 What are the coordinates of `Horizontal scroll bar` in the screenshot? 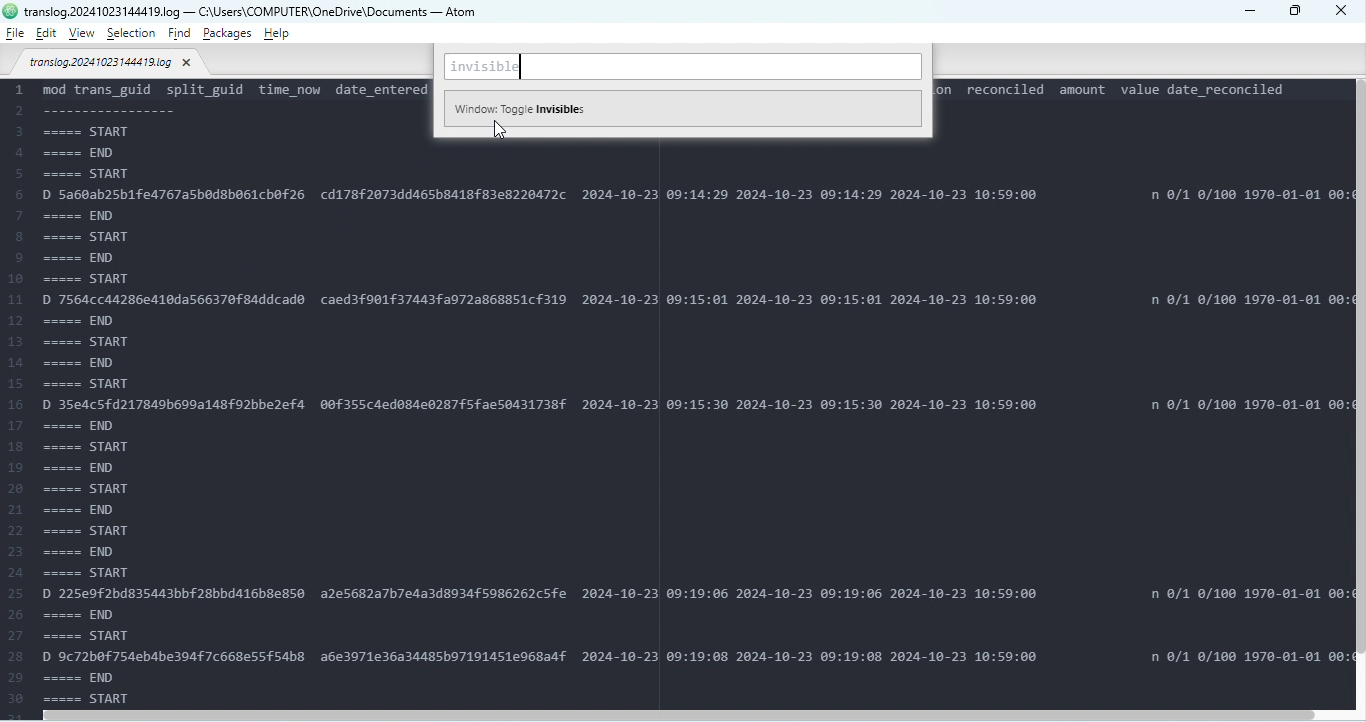 It's located at (688, 714).